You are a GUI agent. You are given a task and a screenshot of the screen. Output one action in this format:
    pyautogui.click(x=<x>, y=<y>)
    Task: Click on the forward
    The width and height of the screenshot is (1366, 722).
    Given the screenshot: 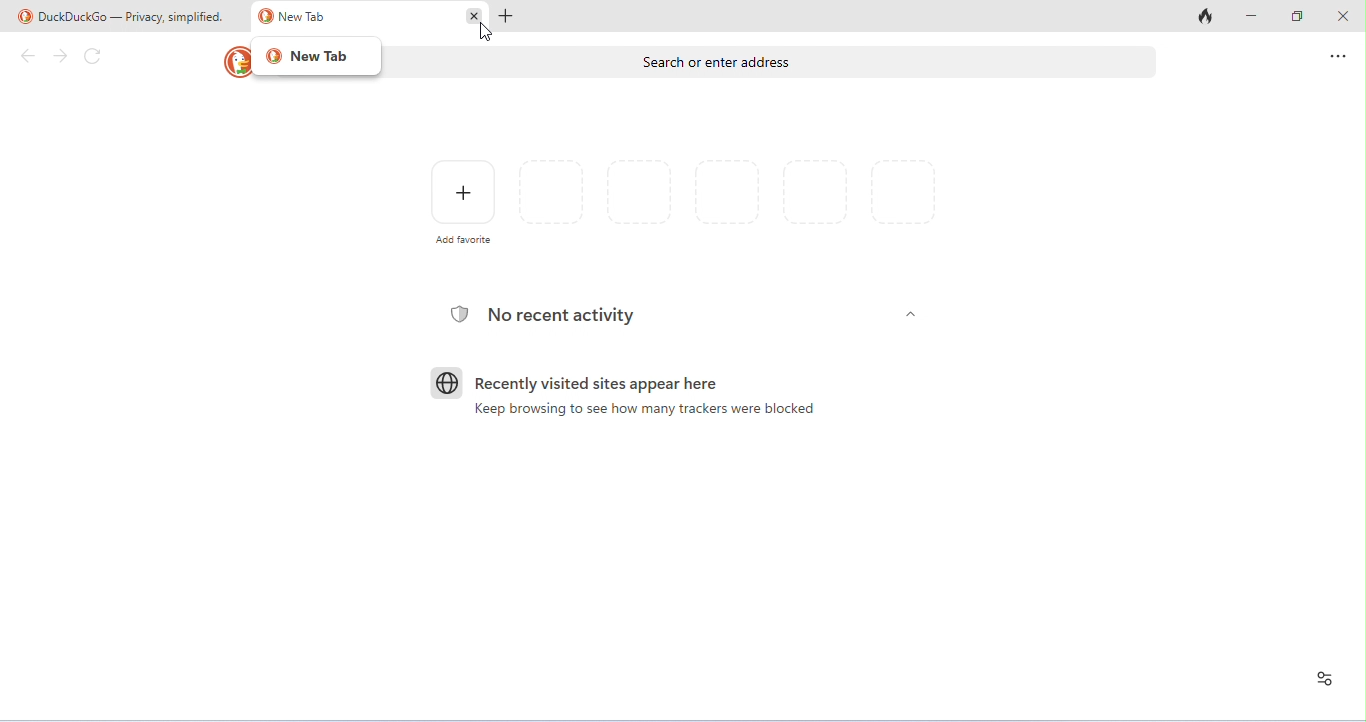 What is the action you would take?
    pyautogui.click(x=62, y=57)
    